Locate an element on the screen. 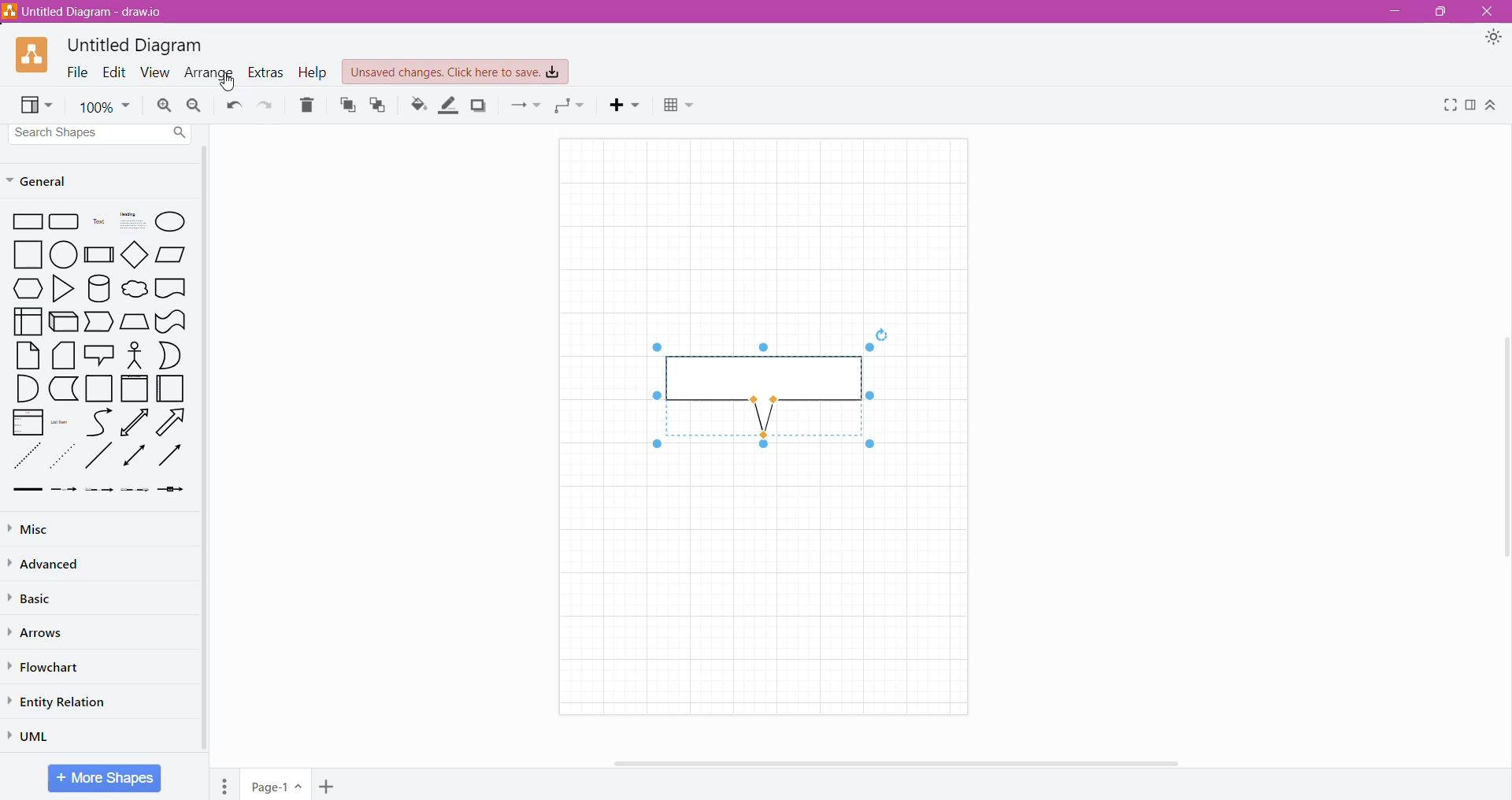 The height and width of the screenshot is (800, 1512). frame is located at coordinates (135, 388).